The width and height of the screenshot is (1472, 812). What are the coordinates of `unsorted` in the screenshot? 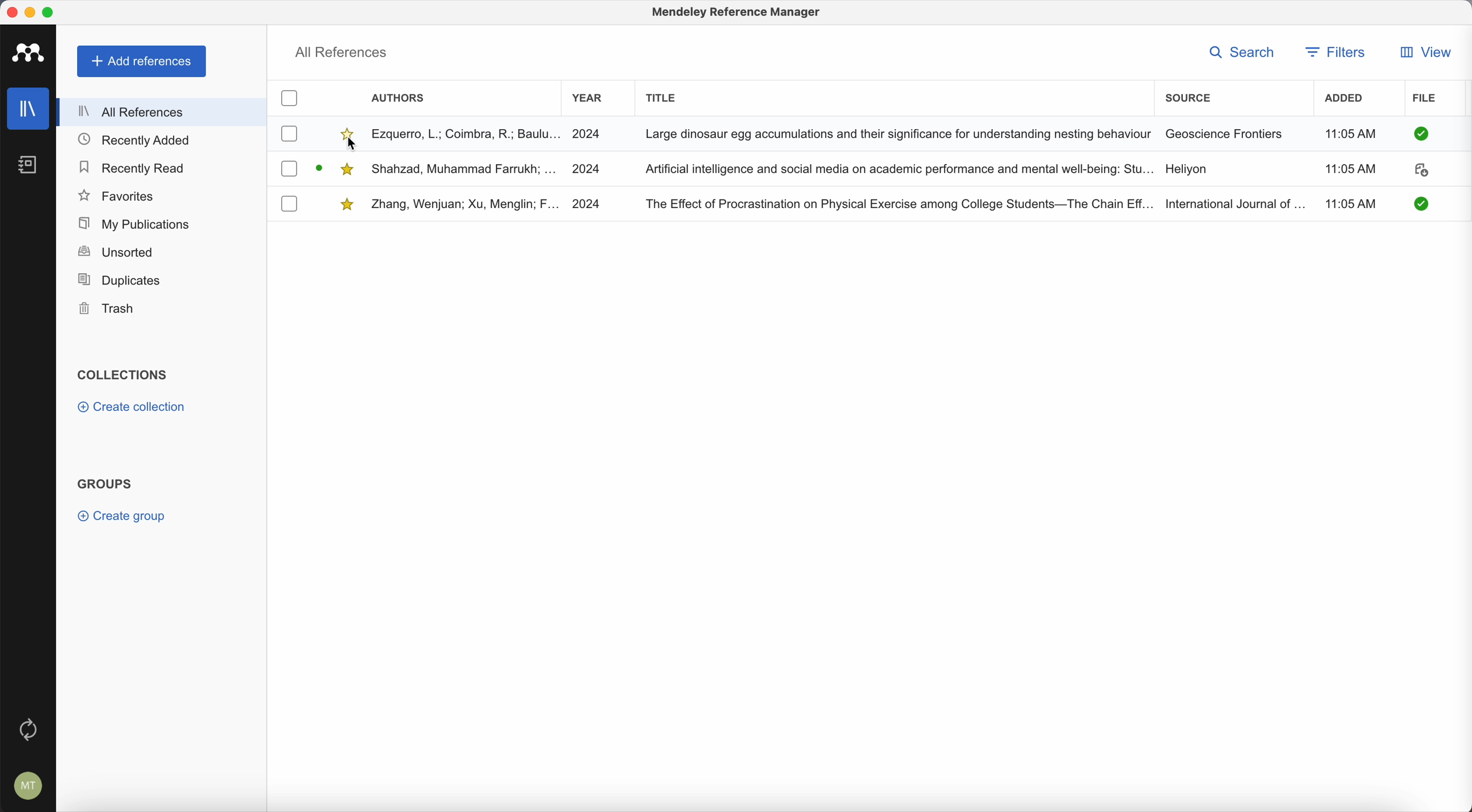 It's located at (115, 253).